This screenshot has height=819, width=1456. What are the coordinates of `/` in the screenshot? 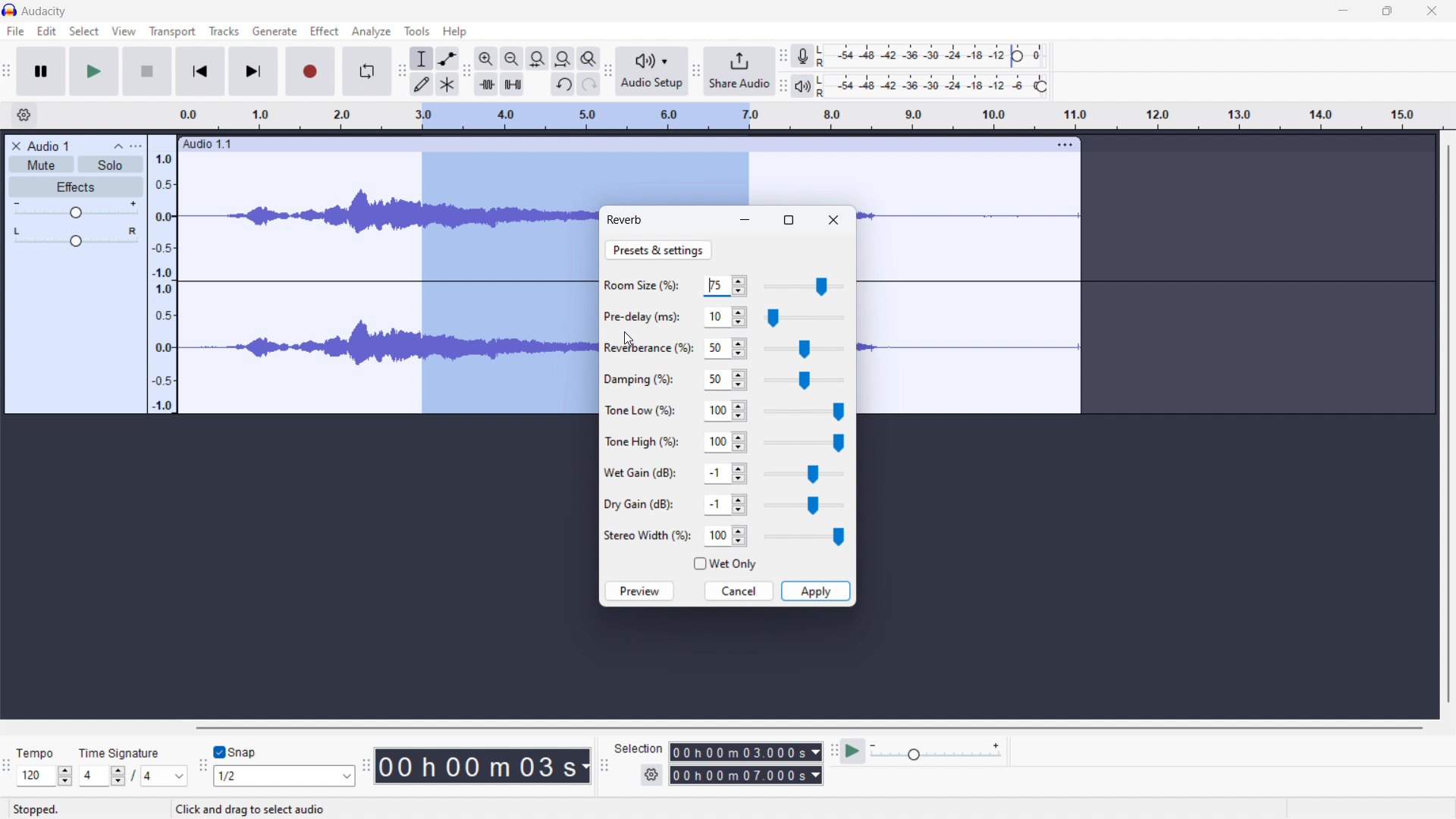 It's located at (134, 775).